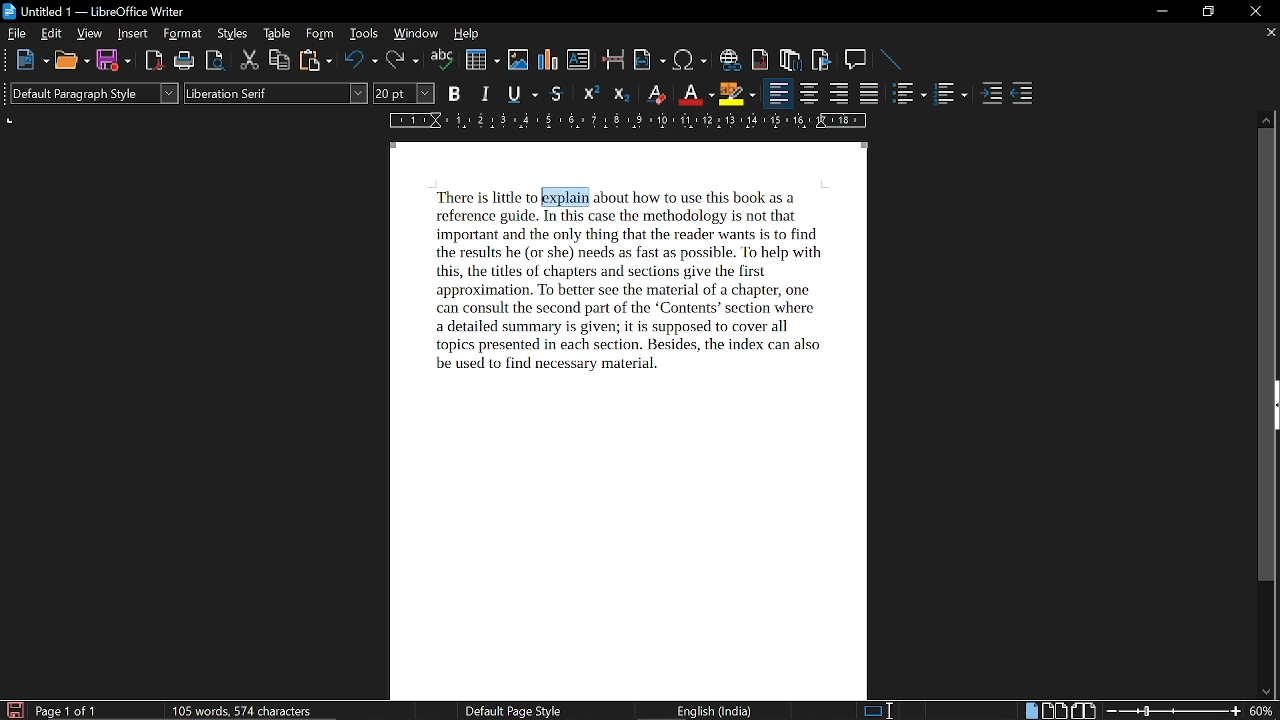 The image size is (1280, 720). What do you see at coordinates (696, 95) in the screenshot?
I see `text color` at bounding box center [696, 95].